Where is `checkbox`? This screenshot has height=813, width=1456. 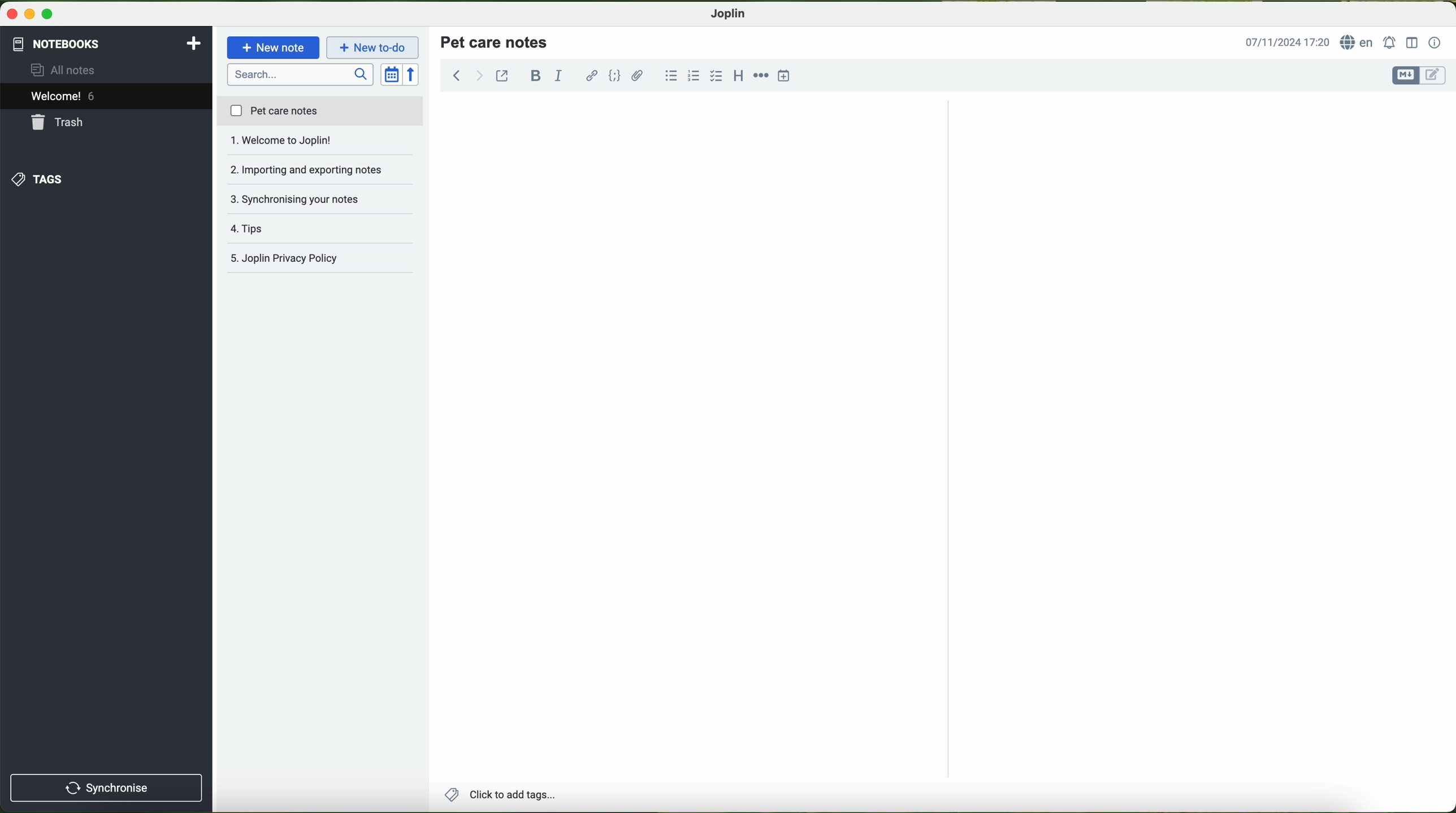
checkbox is located at coordinates (717, 76).